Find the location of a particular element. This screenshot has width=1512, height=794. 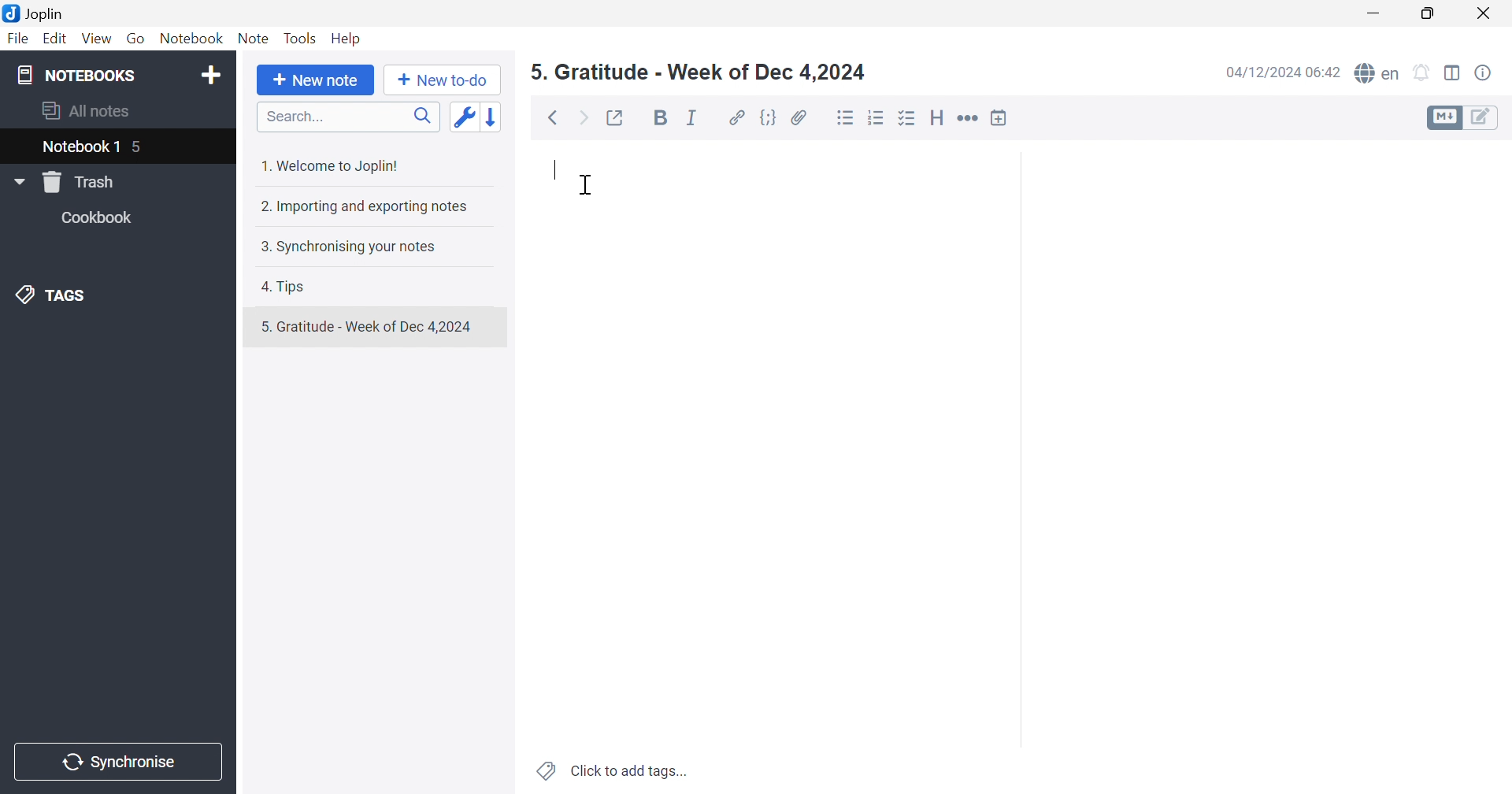

1. Welcome to Joplin! is located at coordinates (332, 164).